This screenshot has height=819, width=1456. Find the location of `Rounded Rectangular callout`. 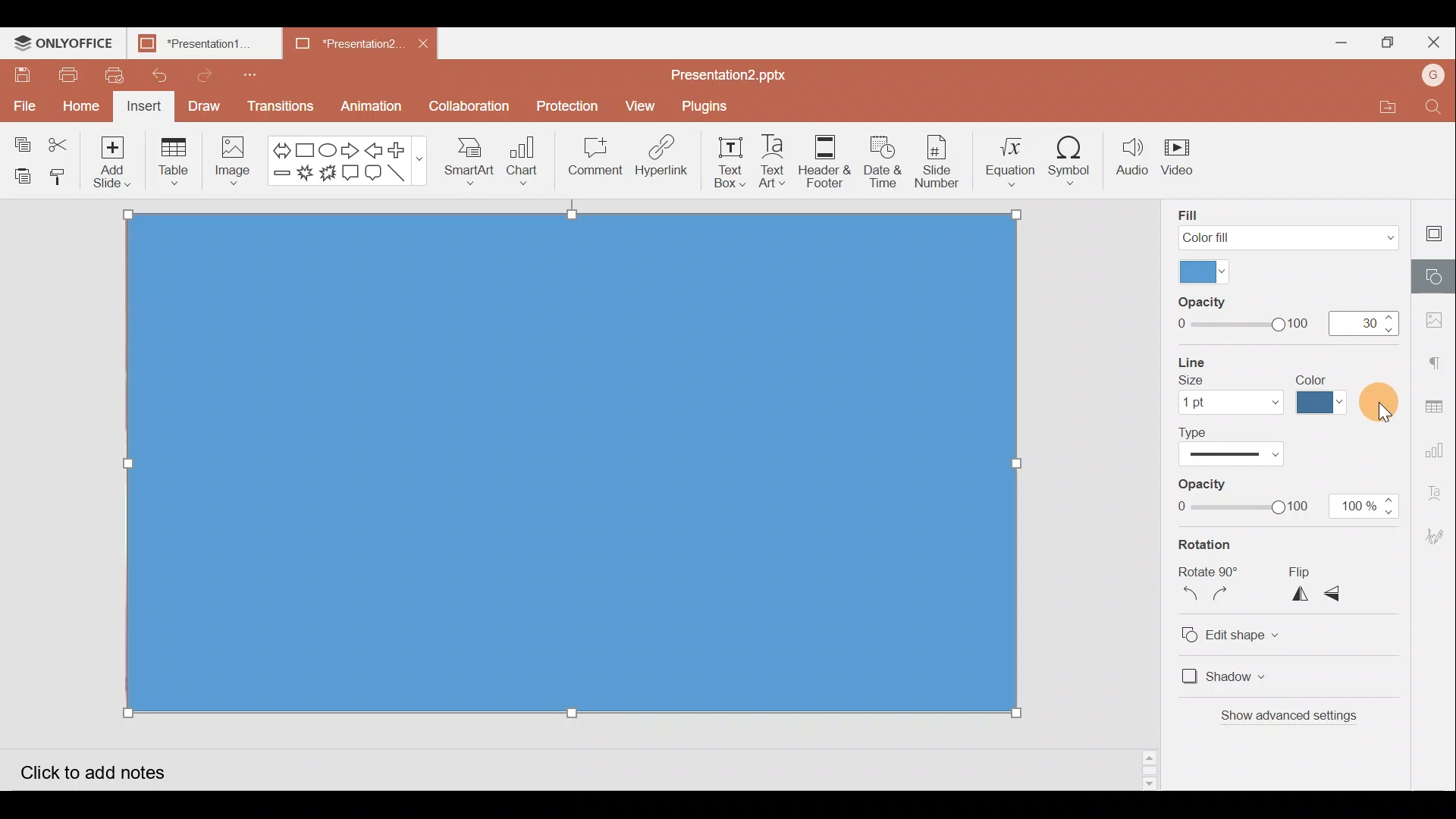

Rounded Rectangular callout is located at coordinates (375, 174).